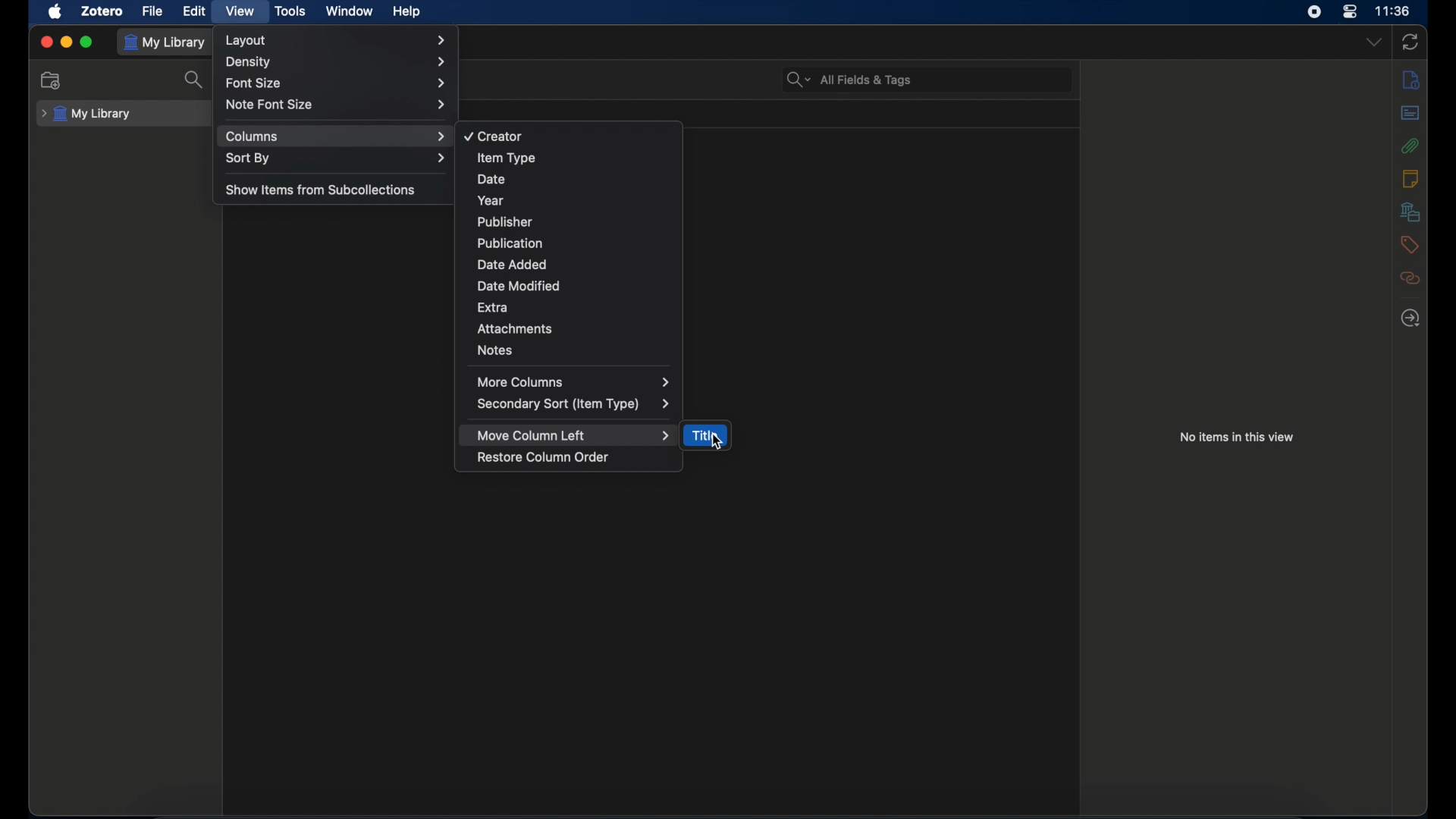  What do you see at coordinates (520, 286) in the screenshot?
I see `date modified` at bounding box center [520, 286].